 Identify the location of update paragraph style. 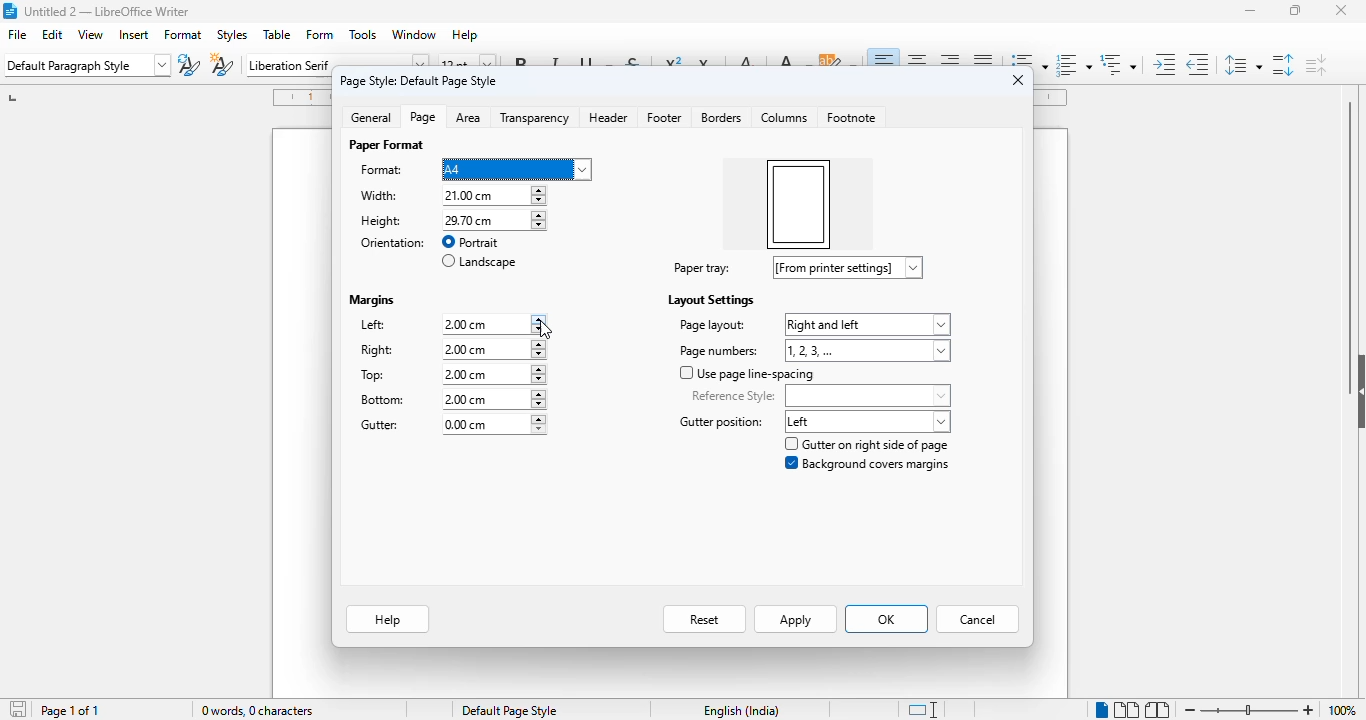
(188, 67).